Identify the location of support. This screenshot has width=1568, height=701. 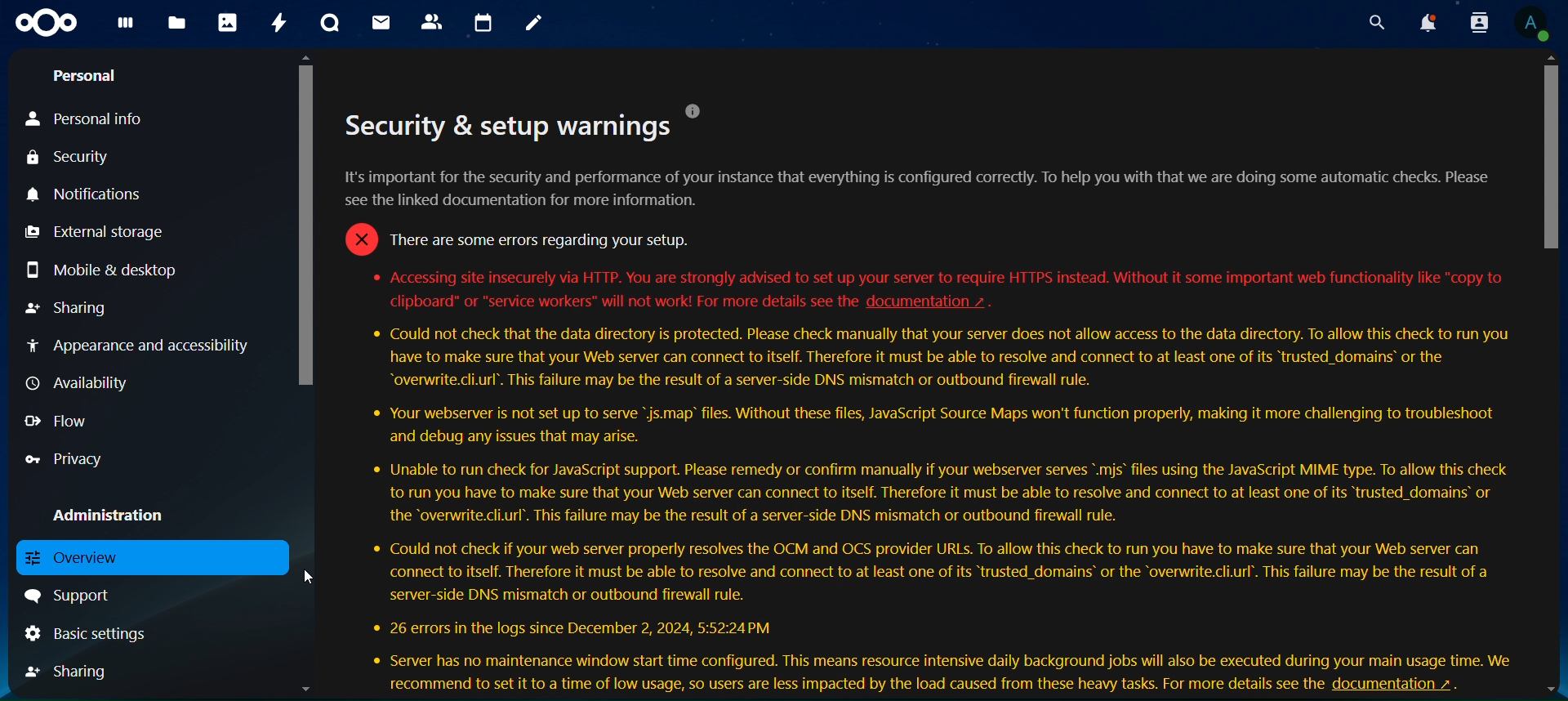
(73, 592).